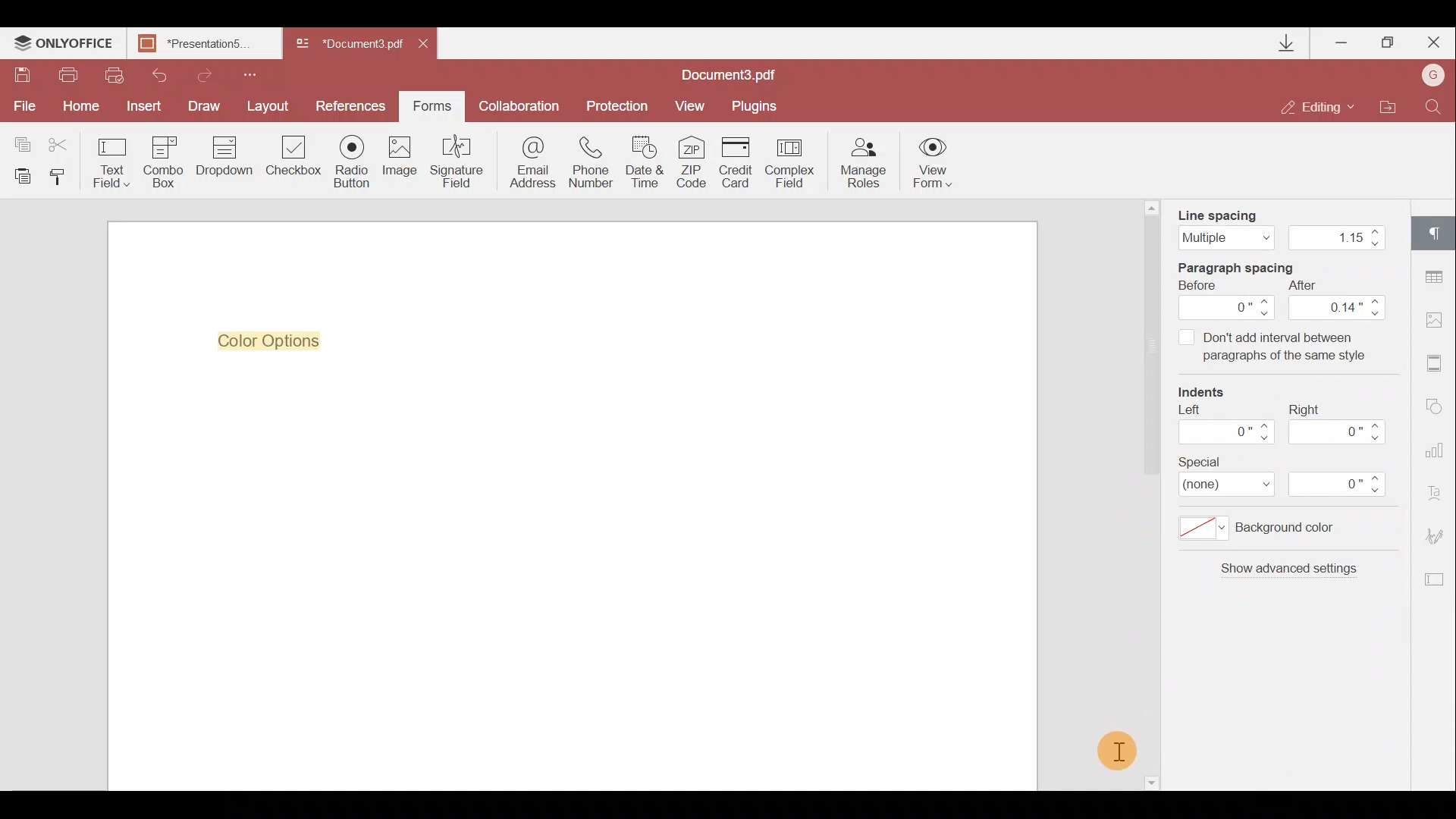  What do you see at coordinates (736, 74) in the screenshot?
I see `Document name` at bounding box center [736, 74].